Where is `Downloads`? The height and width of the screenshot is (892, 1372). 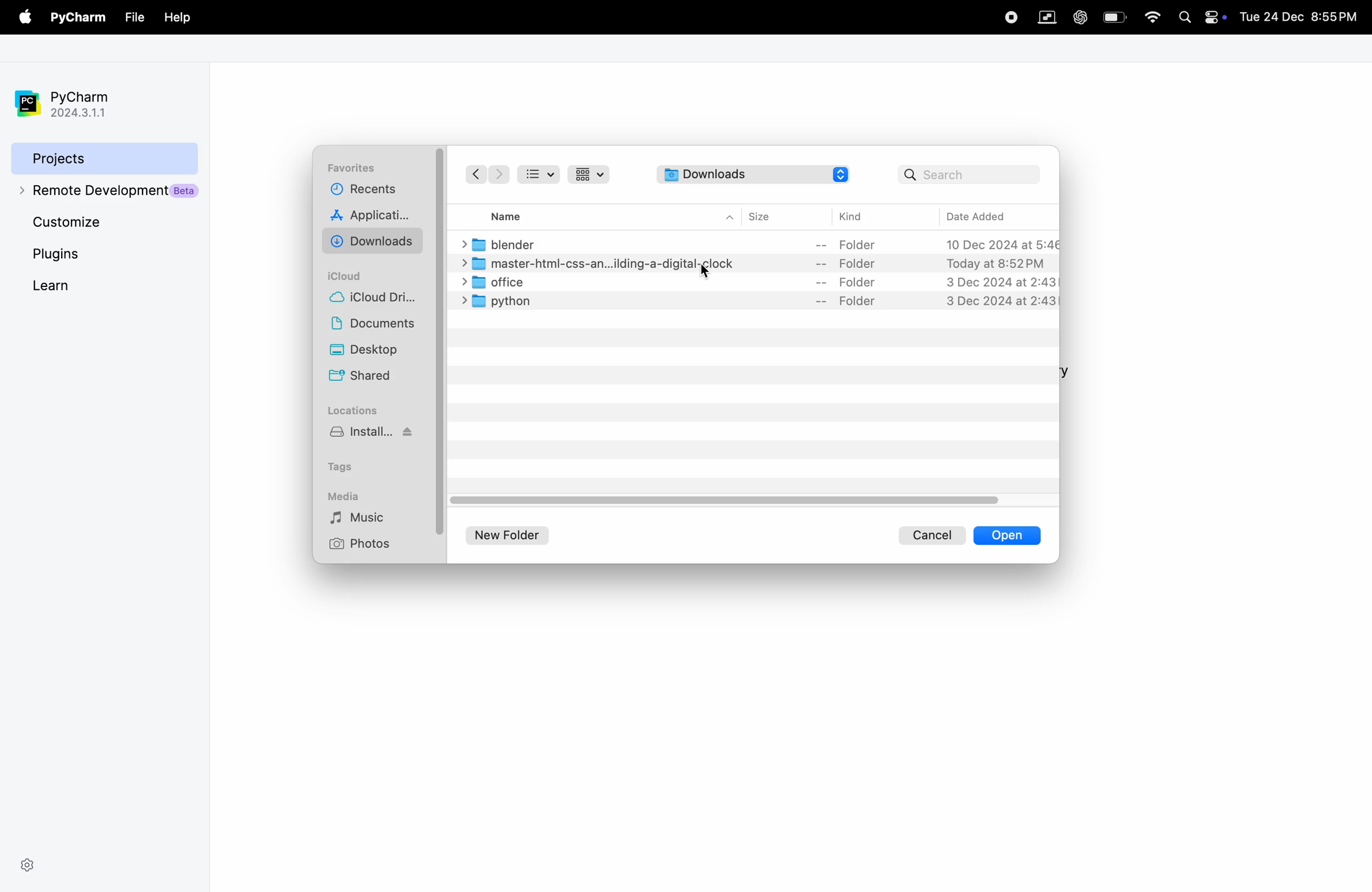 Downloads is located at coordinates (738, 174).